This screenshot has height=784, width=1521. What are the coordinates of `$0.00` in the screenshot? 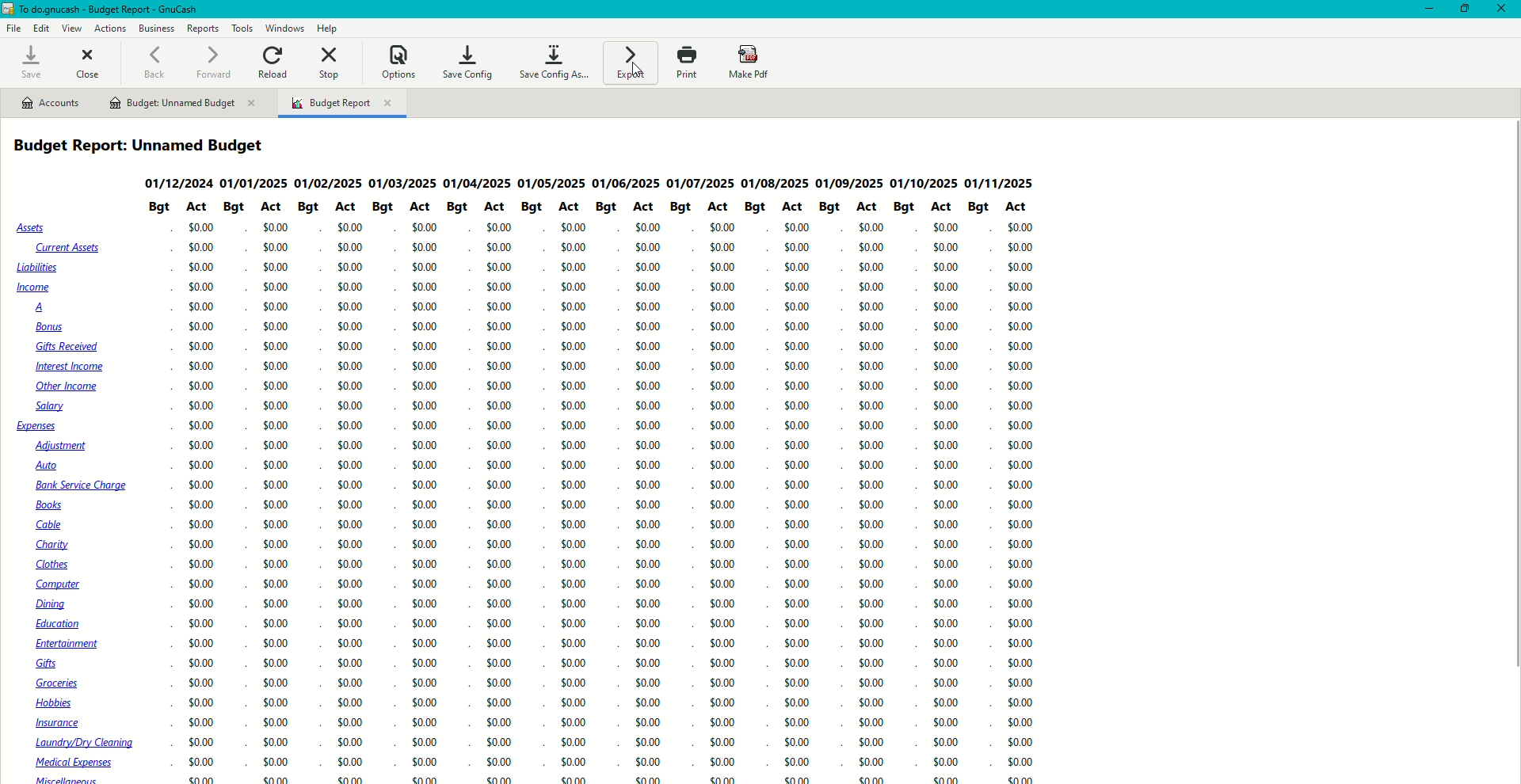 It's located at (650, 662).